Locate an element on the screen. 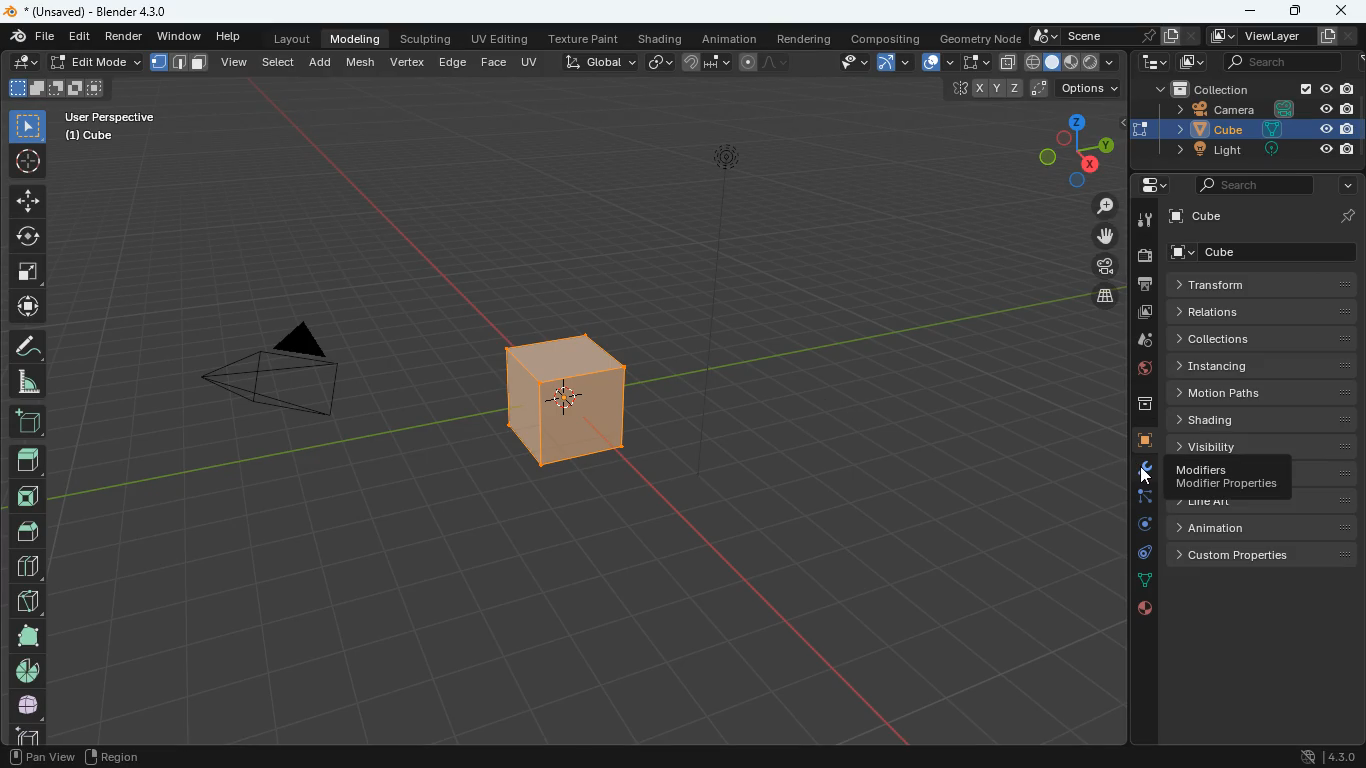 The width and height of the screenshot is (1366, 768). window is located at coordinates (181, 34).